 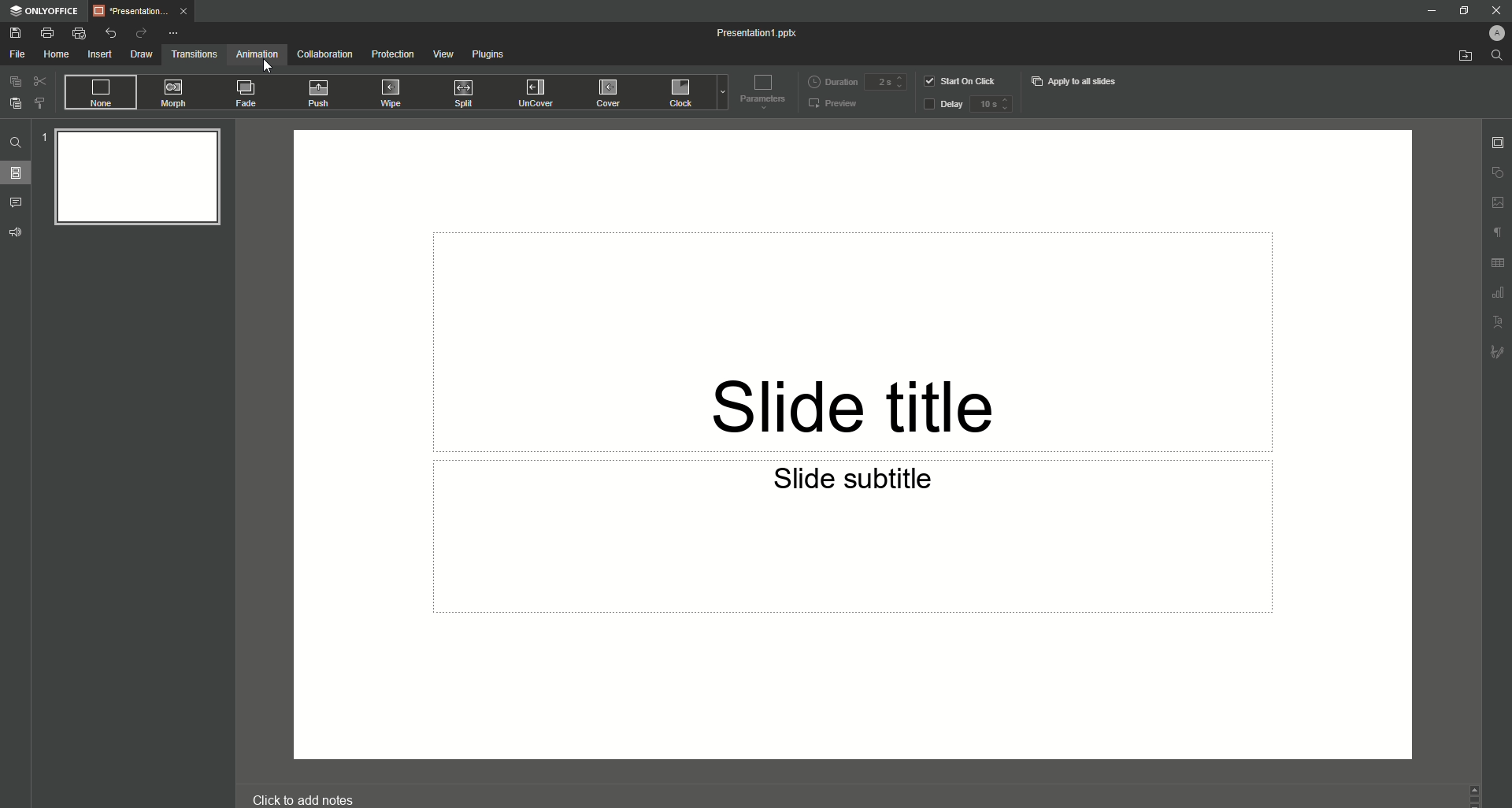 I want to click on Minimize, so click(x=1430, y=10).